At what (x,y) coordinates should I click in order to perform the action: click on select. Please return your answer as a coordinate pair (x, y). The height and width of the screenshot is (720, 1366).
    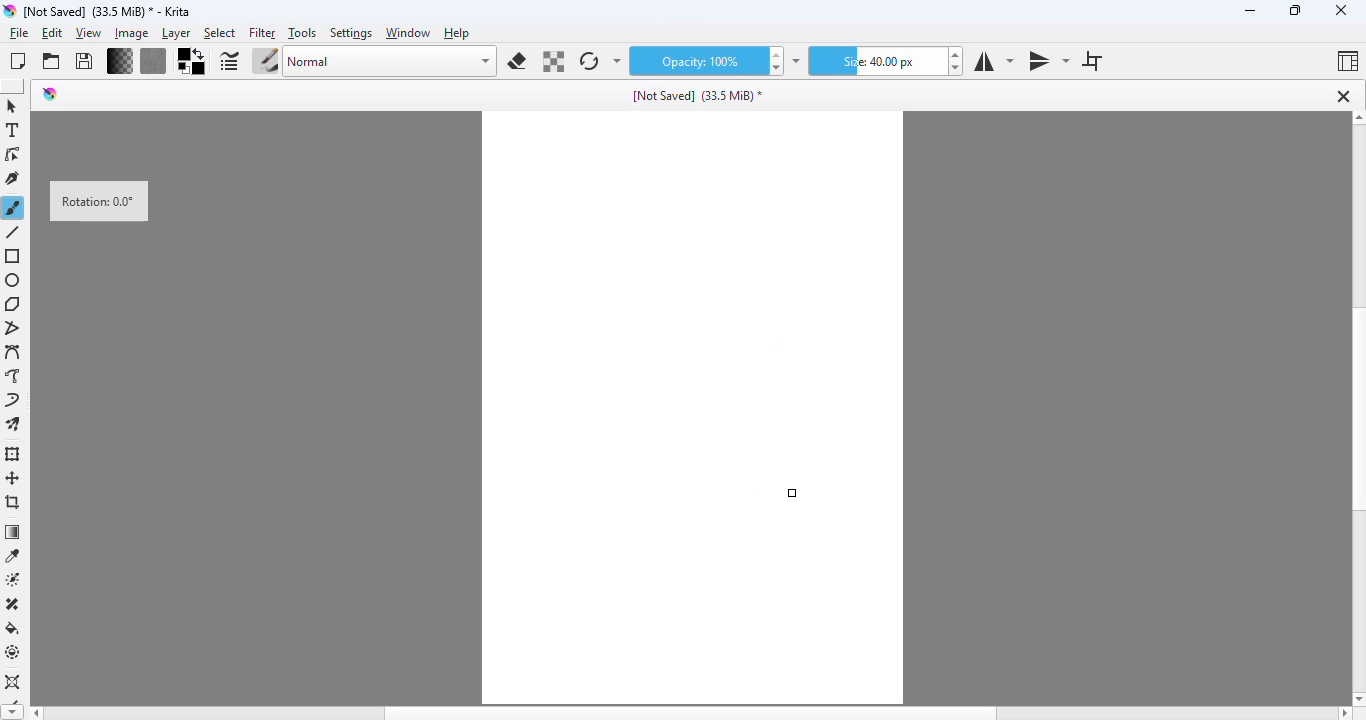
    Looking at the image, I should click on (221, 33).